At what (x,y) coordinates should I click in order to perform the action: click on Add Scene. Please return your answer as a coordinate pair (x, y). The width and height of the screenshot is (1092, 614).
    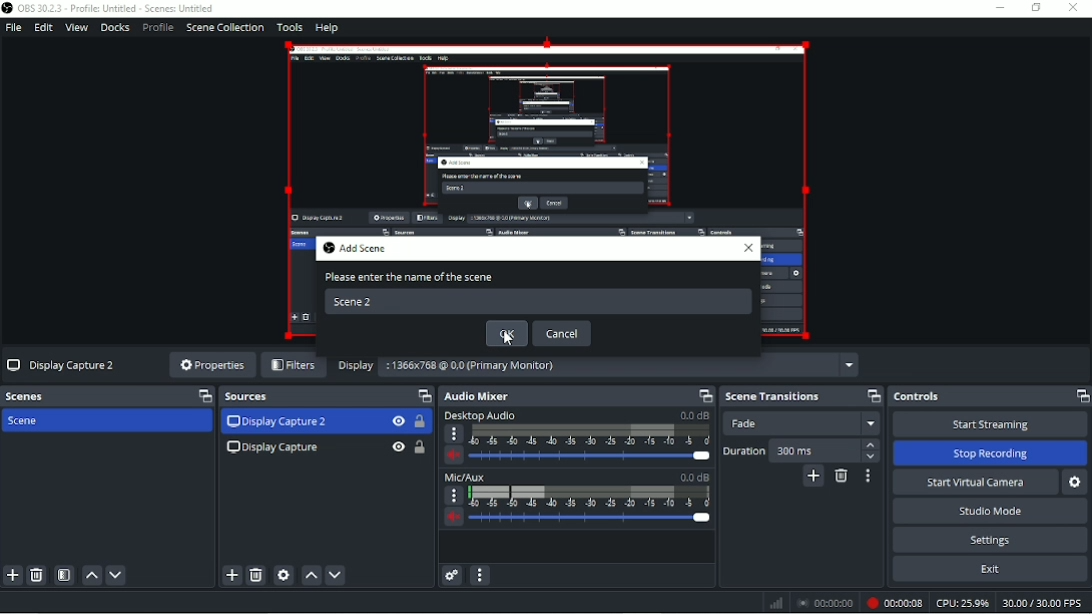
    Looking at the image, I should click on (356, 246).